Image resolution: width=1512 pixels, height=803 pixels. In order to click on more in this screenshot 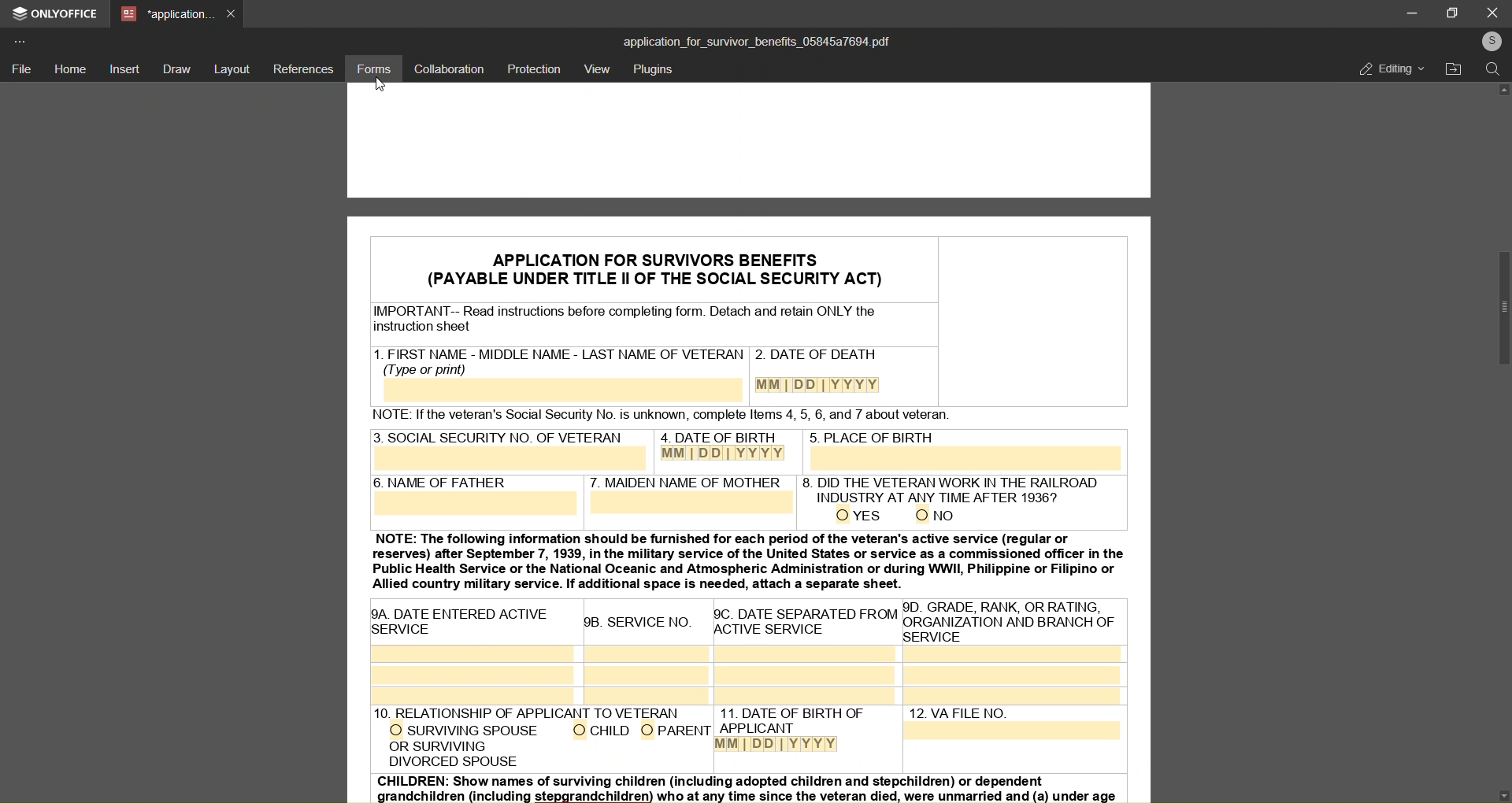, I will do `click(23, 40)`.